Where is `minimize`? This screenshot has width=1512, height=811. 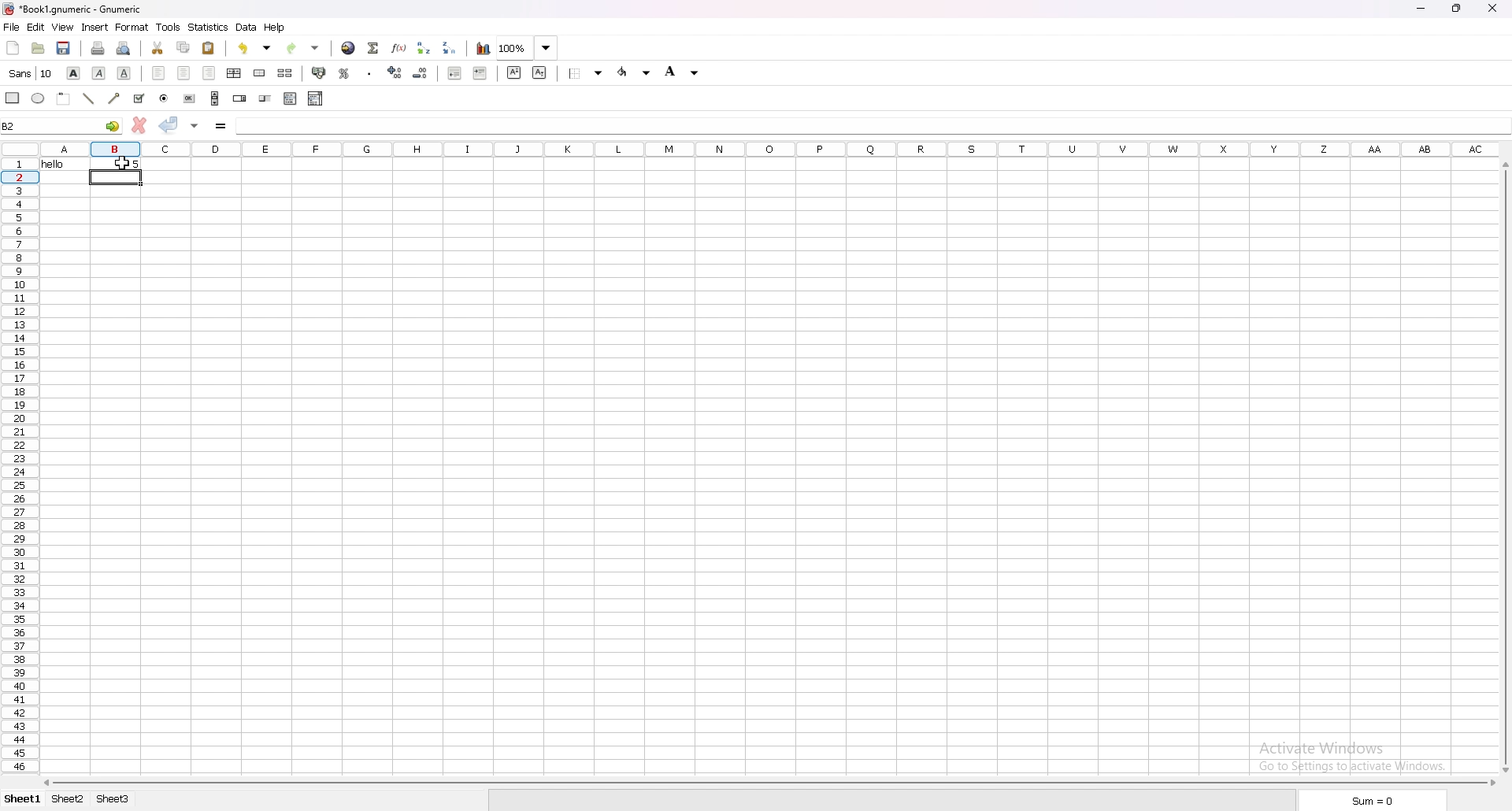
minimize is located at coordinates (1420, 9).